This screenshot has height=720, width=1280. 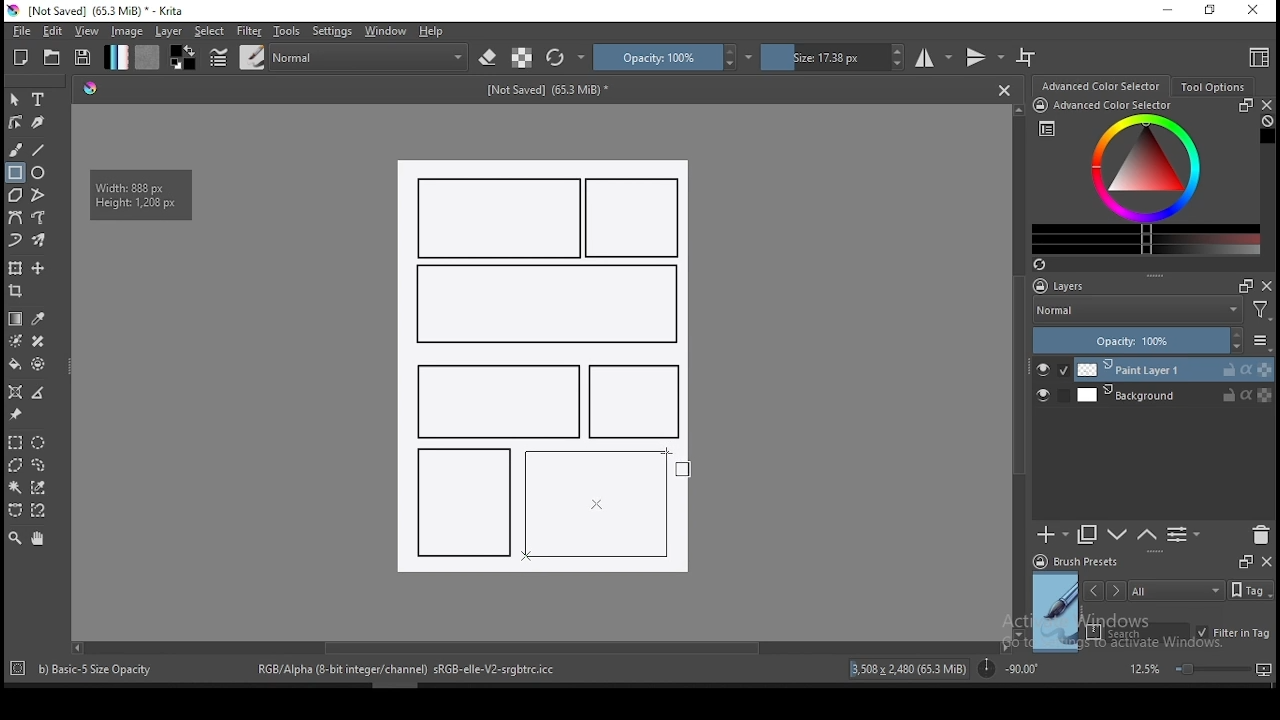 I want to click on brush tool, so click(x=17, y=149).